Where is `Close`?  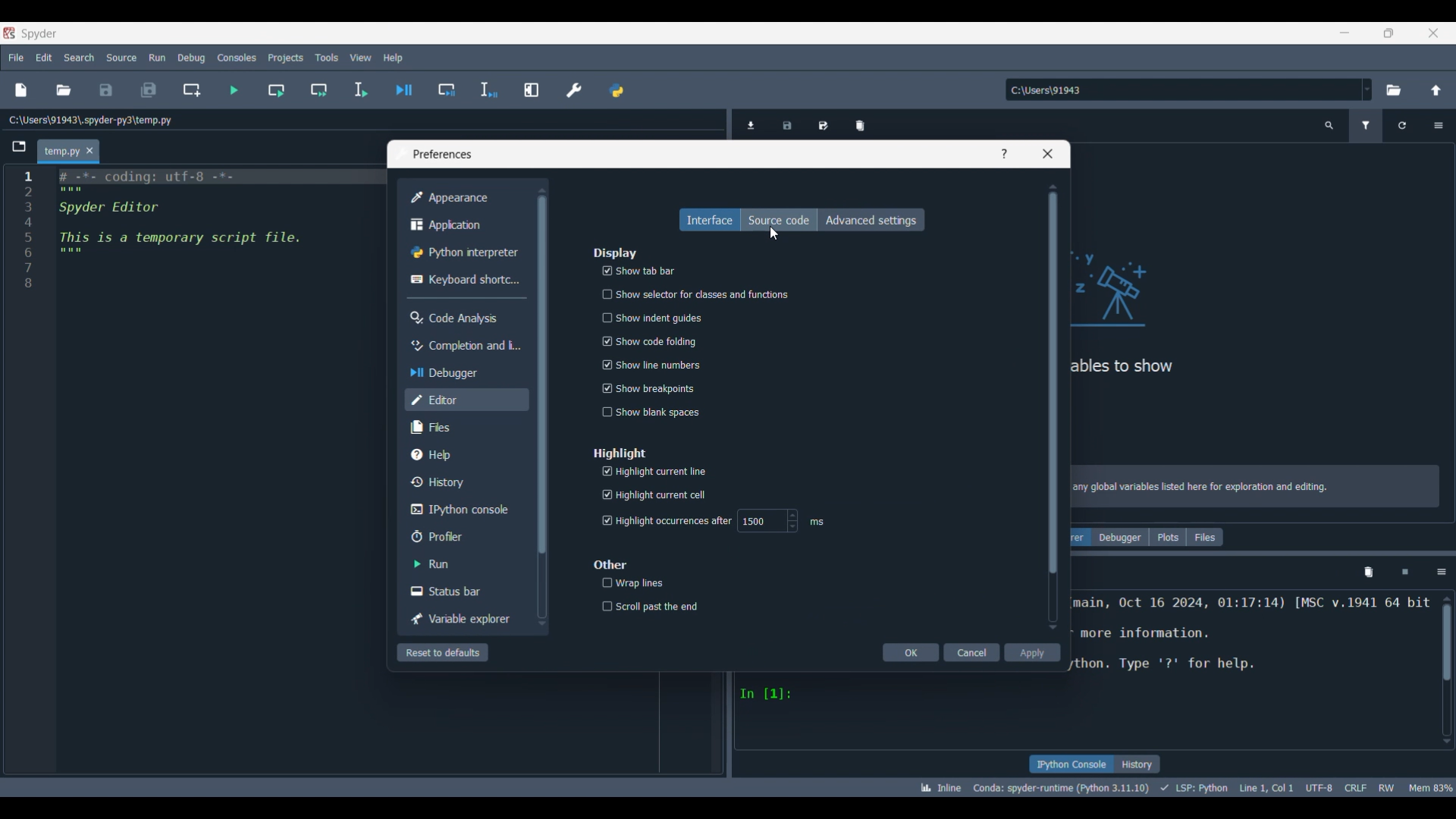
Close is located at coordinates (89, 150).